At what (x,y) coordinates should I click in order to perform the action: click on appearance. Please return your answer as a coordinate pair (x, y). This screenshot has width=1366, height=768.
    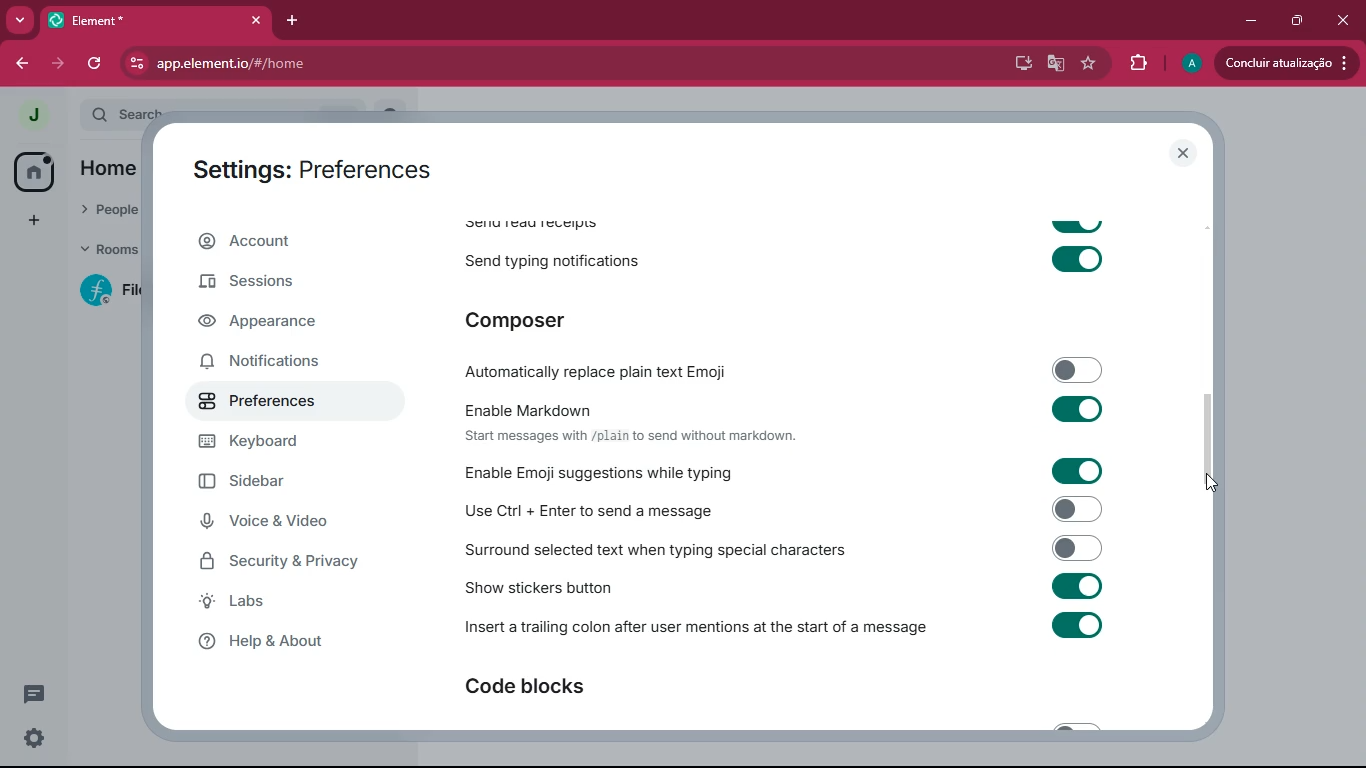
    Looking at the image, I should click on (274, 323).